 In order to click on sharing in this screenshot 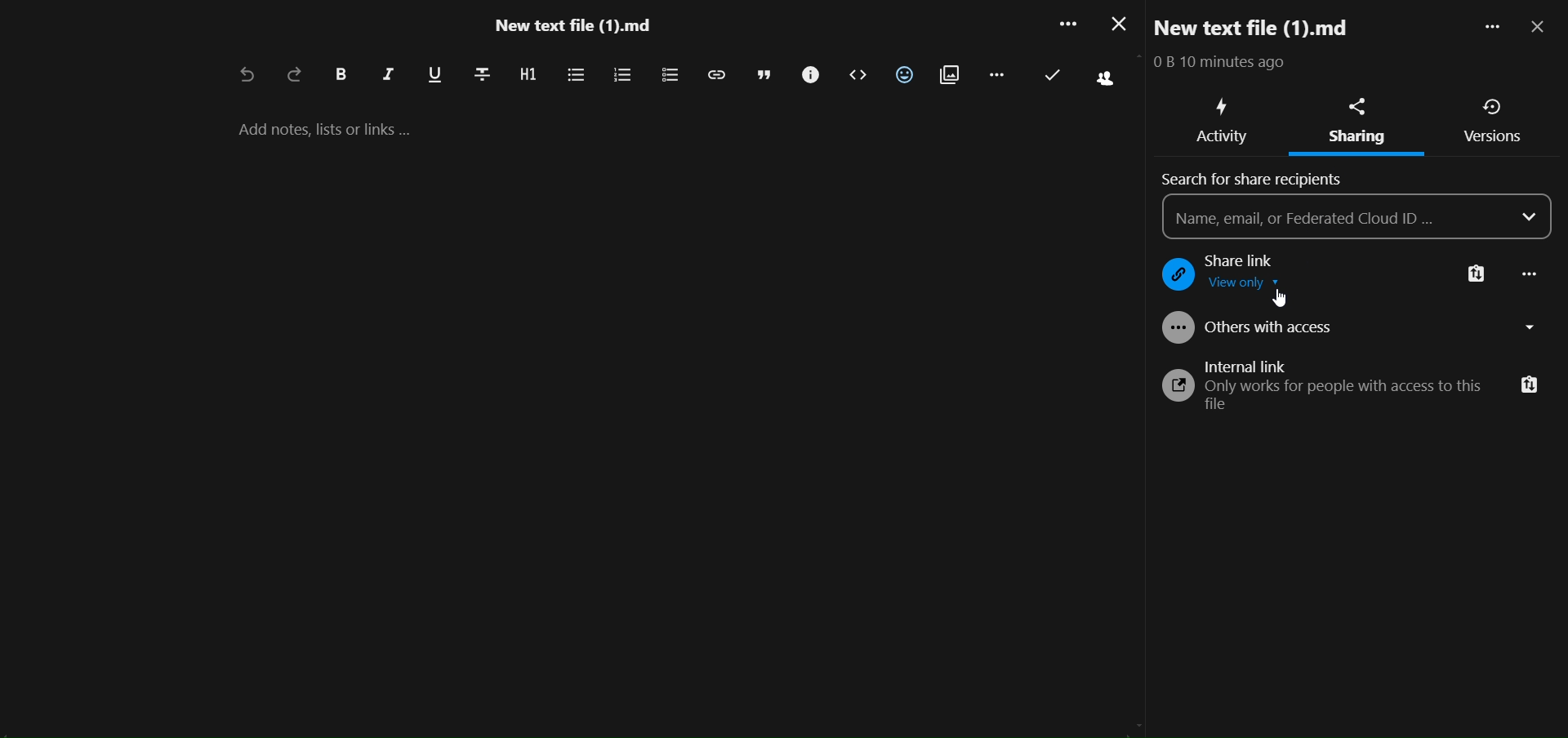, I will do `click(1357, 104)`.